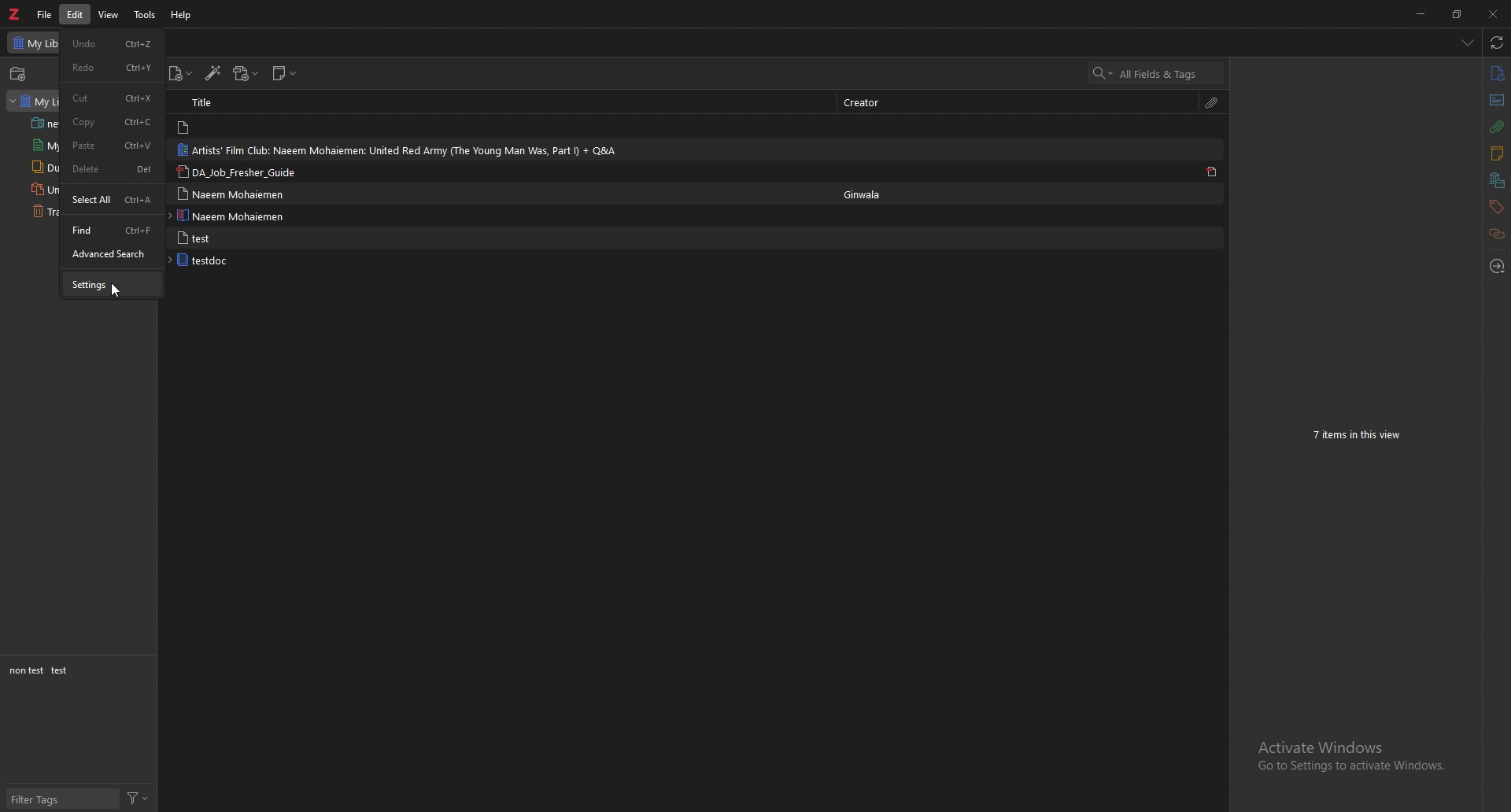 The height and width of the screenshot is (812, 1511). What do you see at coordinates (25, 671) in the screenshot?
I see `non test` at bounding box center [25, 671].